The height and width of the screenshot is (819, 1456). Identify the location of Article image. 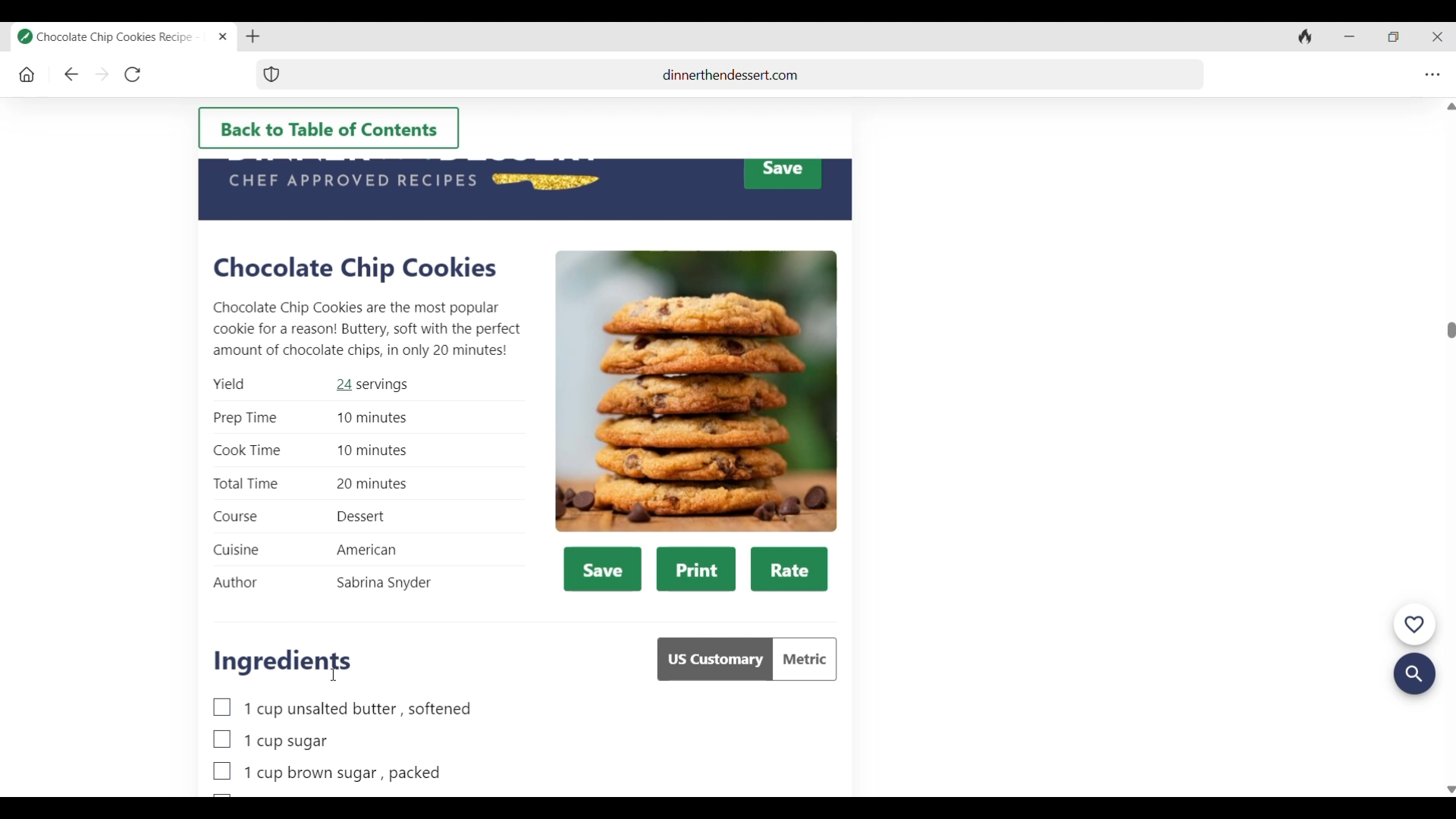
(696, 392).